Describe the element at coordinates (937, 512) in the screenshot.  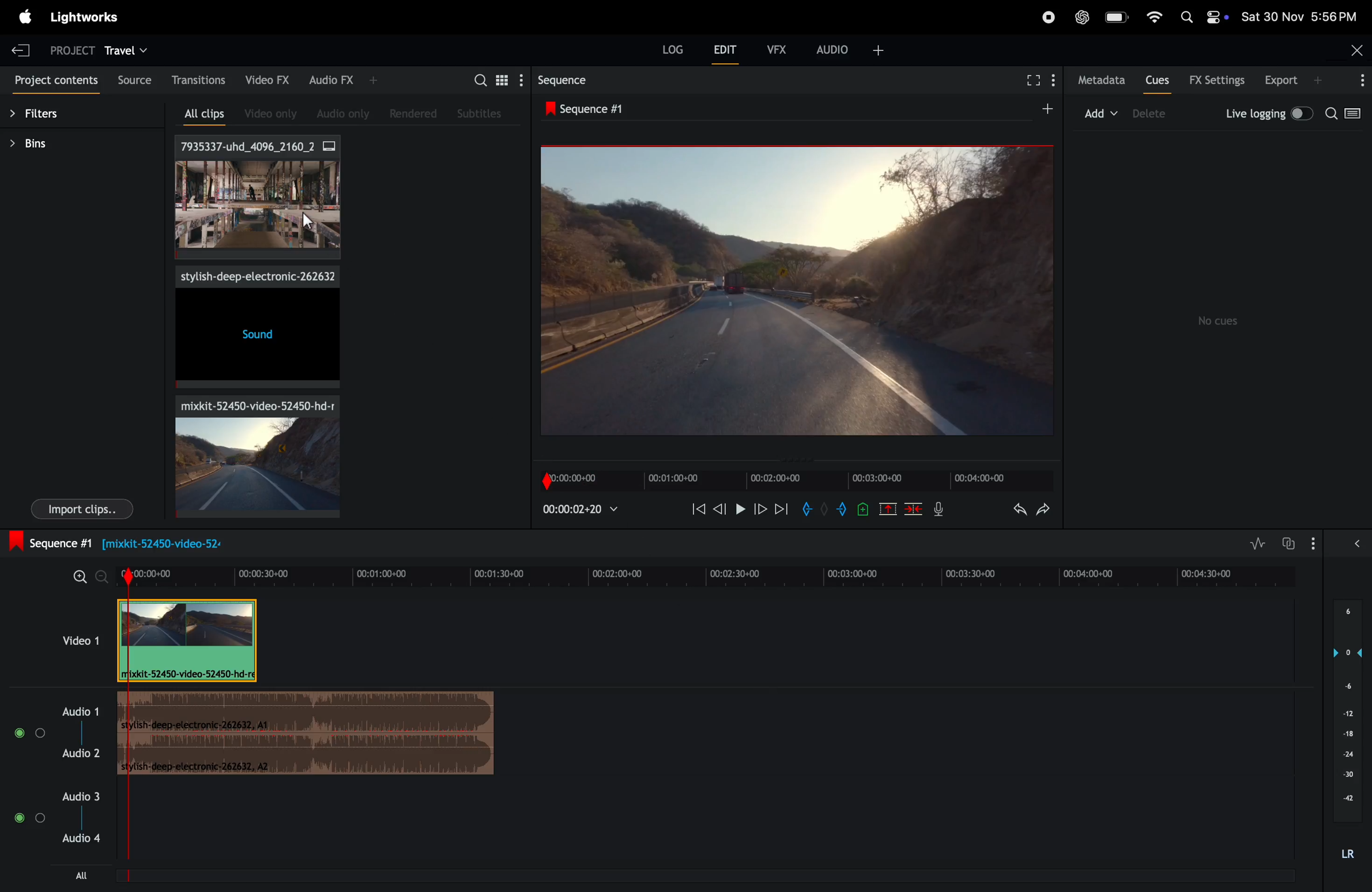
I see `mic` at that location.